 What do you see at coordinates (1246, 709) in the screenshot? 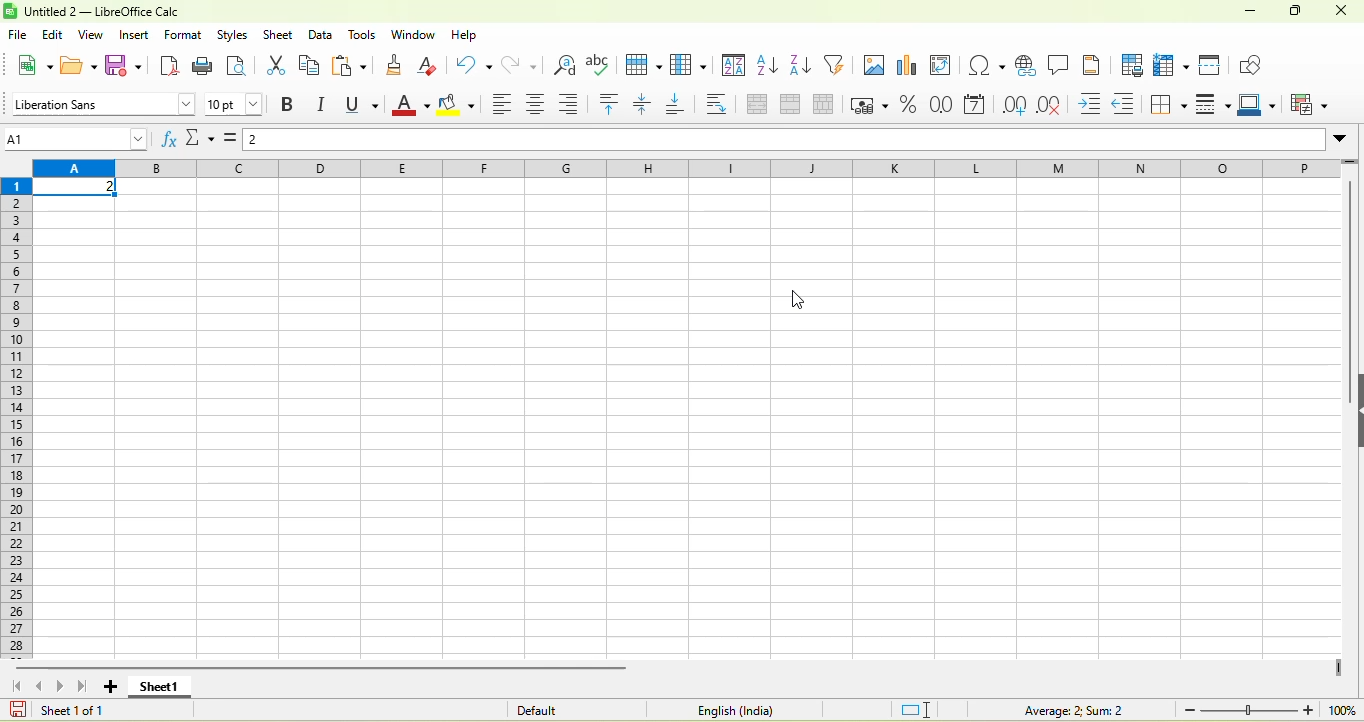
I see `zoom` at bounding box center [1246, 709].